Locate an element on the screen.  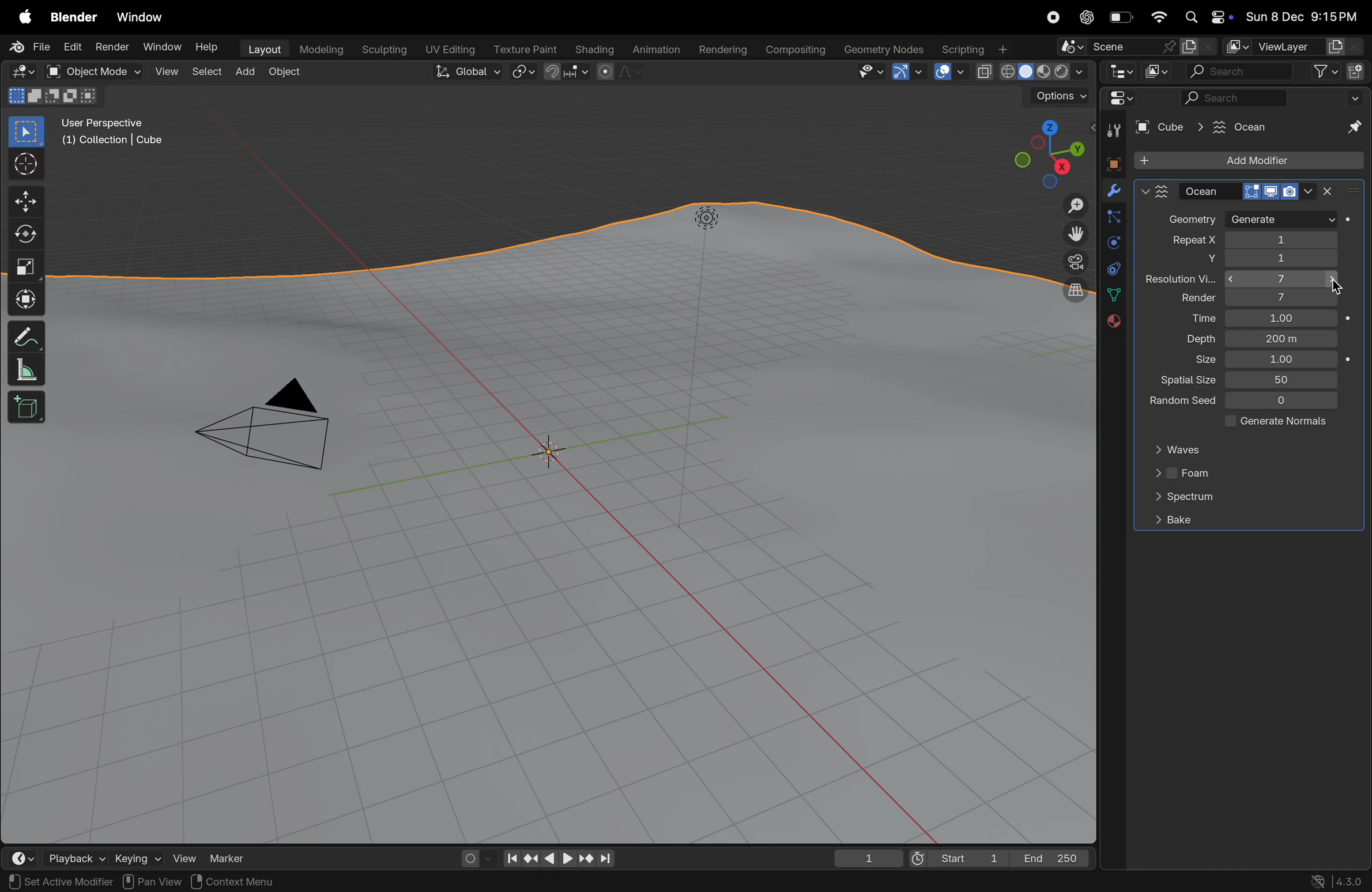
measure  is located at coordinates (26, 372).